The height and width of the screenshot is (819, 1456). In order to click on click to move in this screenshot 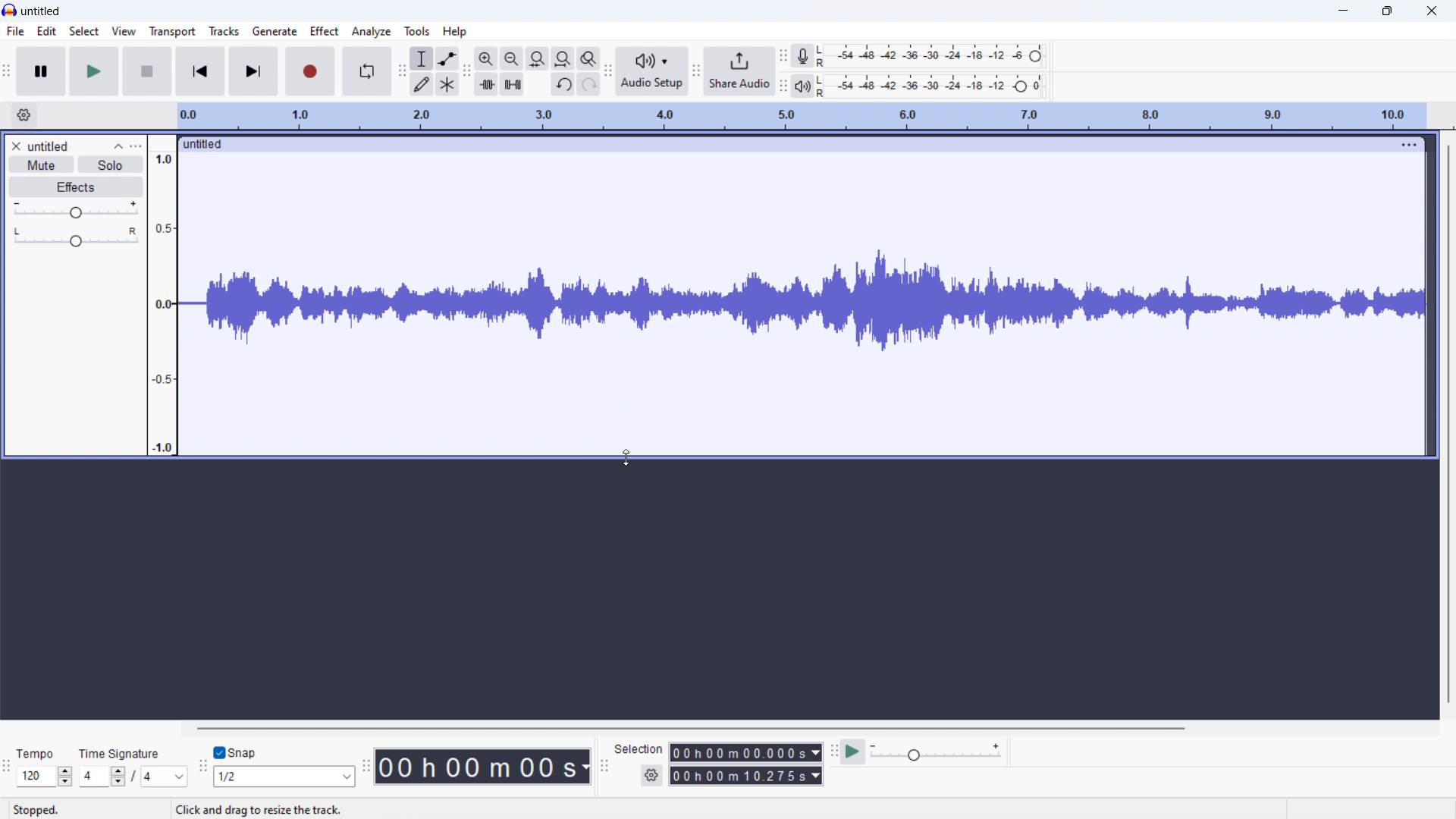, I will do `click(782, 143)`.